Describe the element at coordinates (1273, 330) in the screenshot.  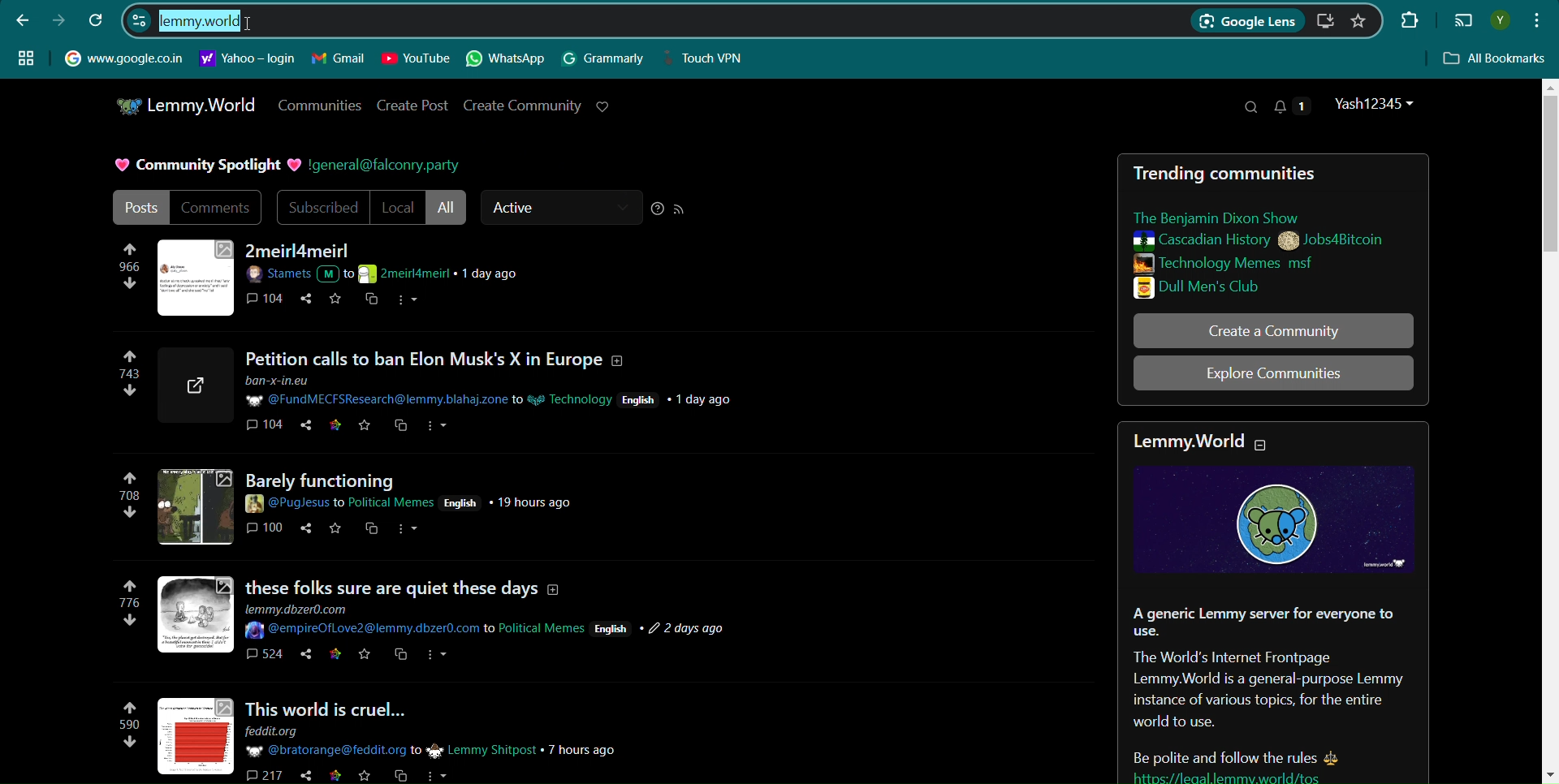
I see `Create a Community` at that location.